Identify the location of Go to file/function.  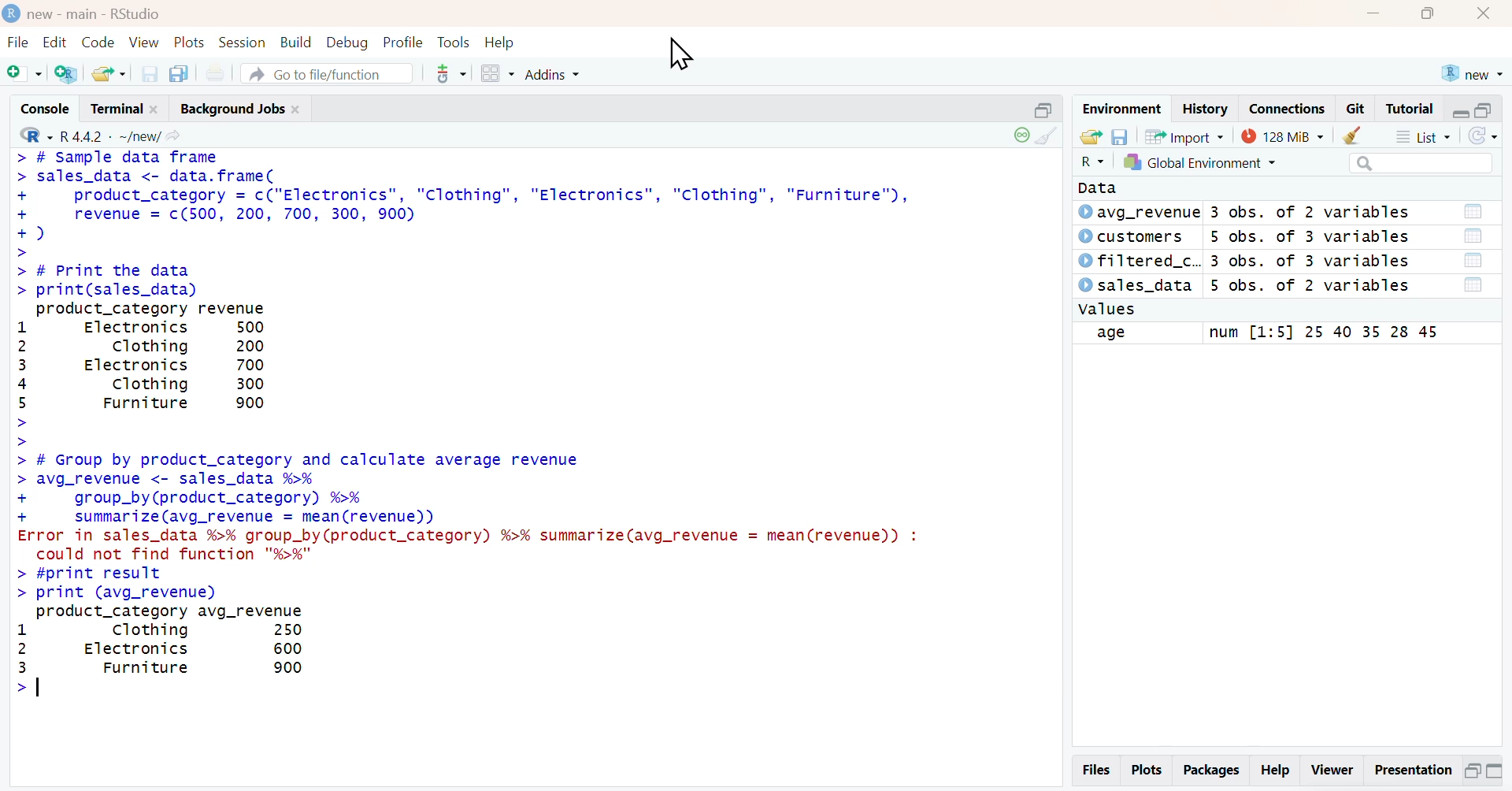
(328, 73).